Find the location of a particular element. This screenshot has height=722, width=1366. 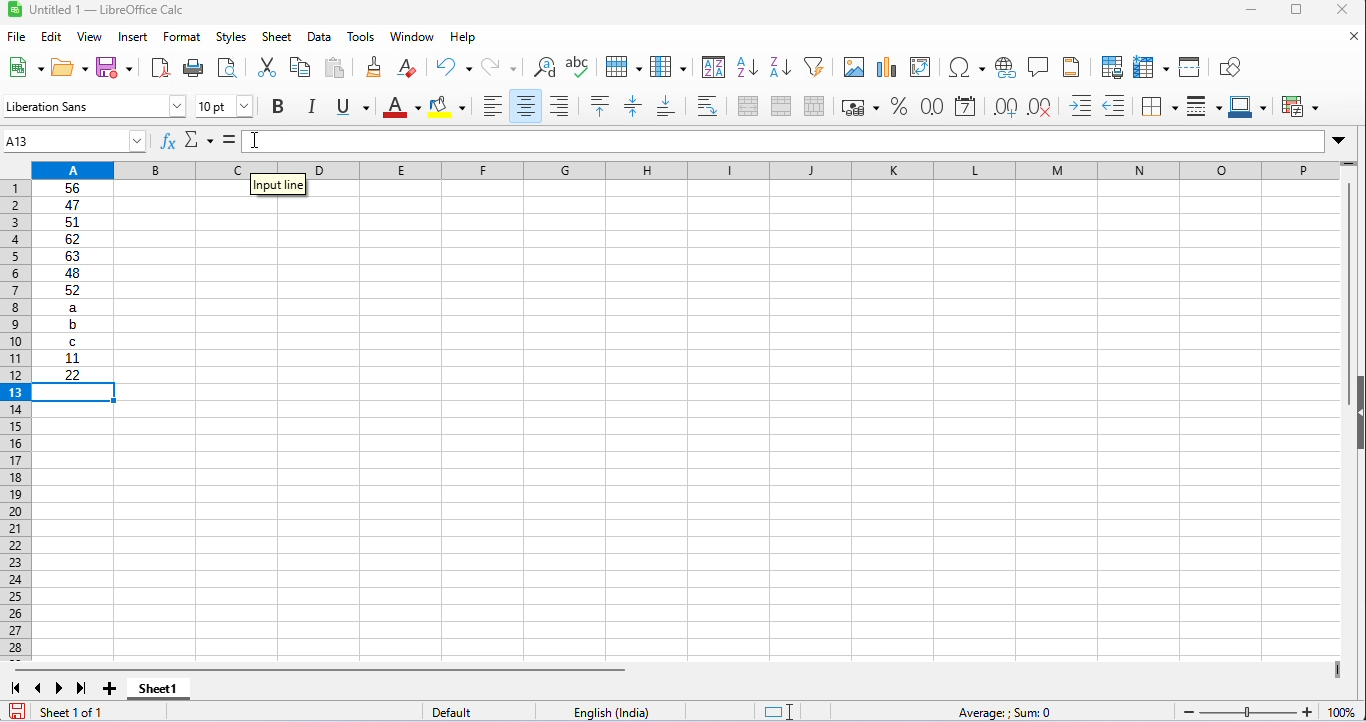

48 is located at coordinates (72, 273).